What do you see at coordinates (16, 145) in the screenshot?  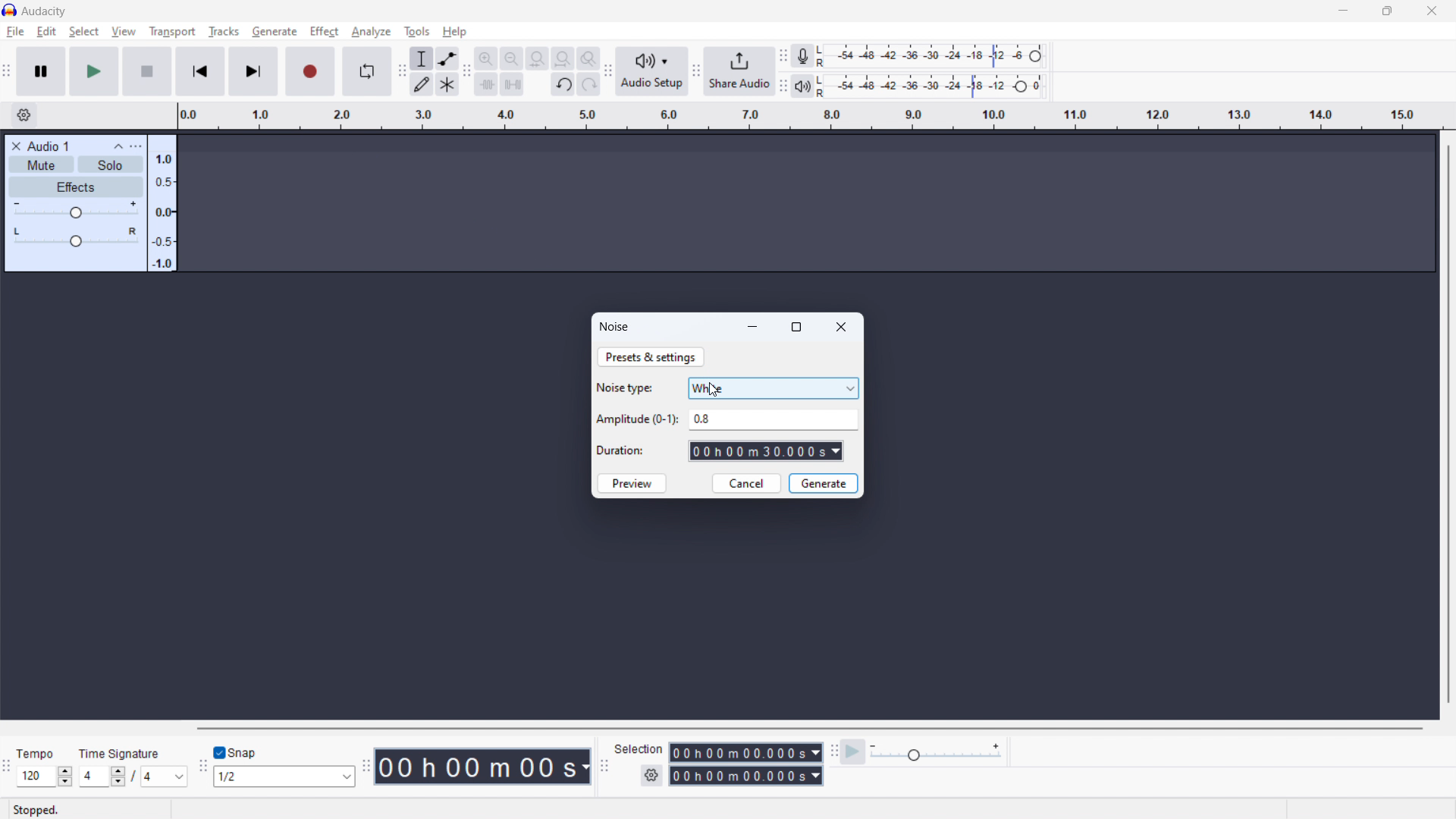 I see `delete track` at bounding box center [16, 145].